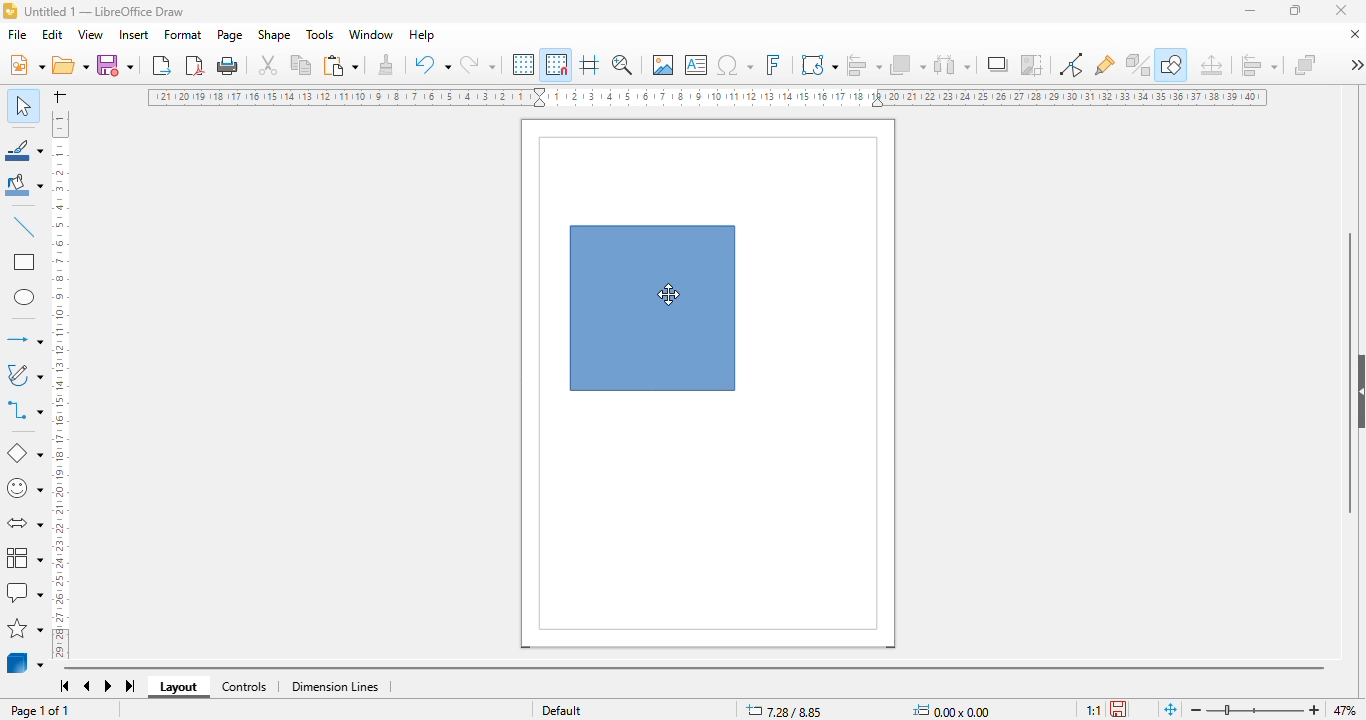 The image size is (1366, 720). What do you see at coordinates (693, 668) in the screenshot?
I see `horizontal scroll bar` at bounding box center [693, 668].